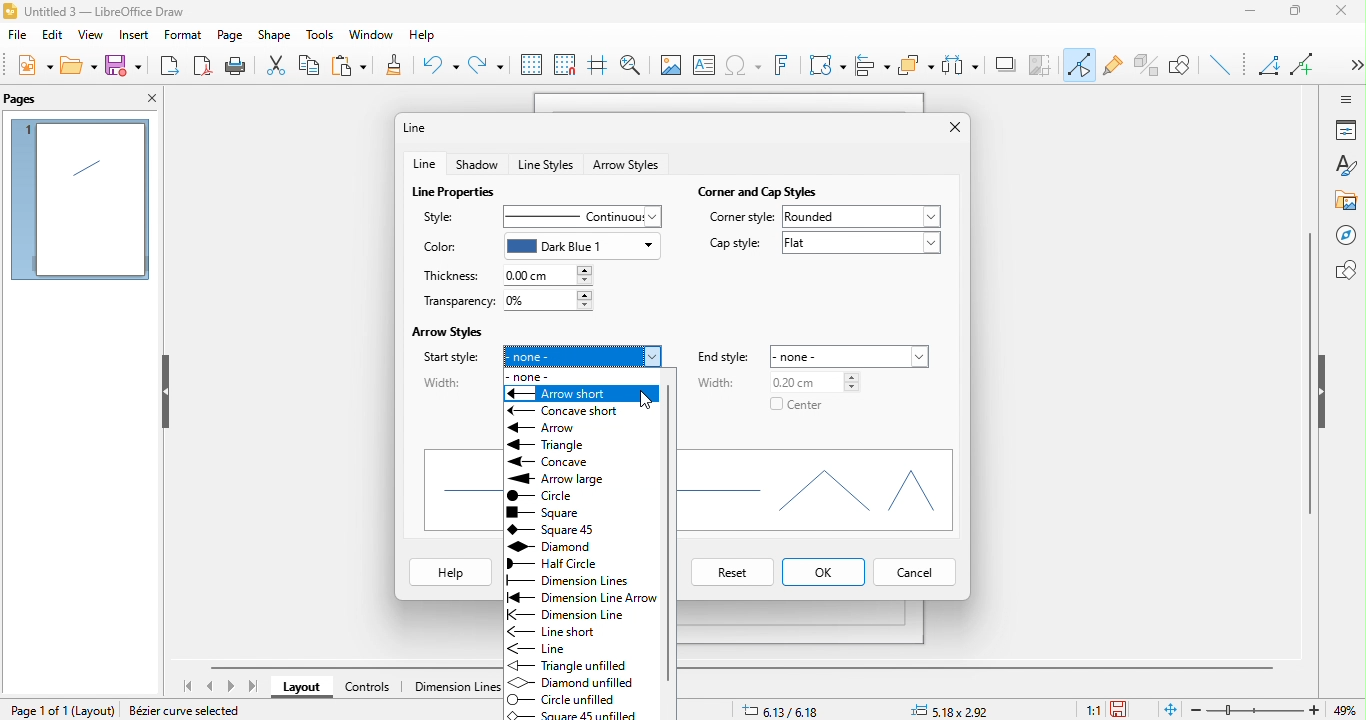 The height and width of the screenshot is (720, 1366). I want to click on corner and cap styles, so click(761, 188).